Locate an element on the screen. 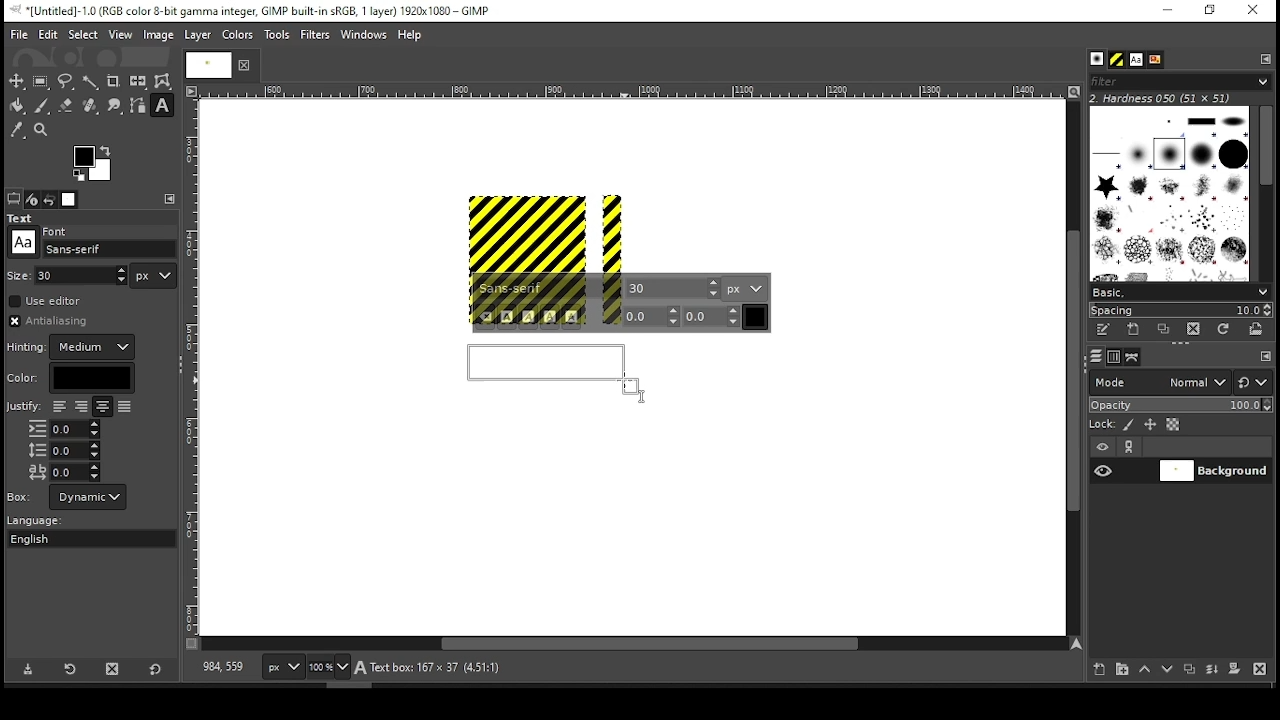 The image size is (1280, 720). select is located at coordinates (82, 33).